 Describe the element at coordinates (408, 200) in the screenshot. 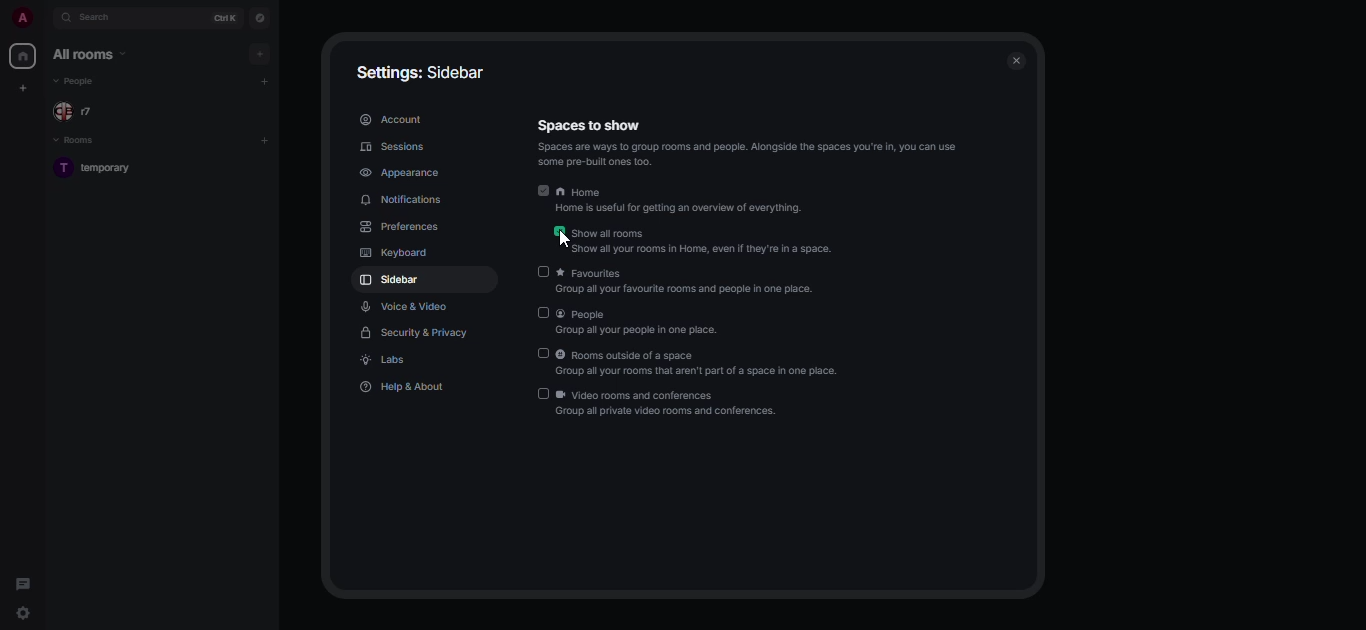

I see `notifications` at that location.